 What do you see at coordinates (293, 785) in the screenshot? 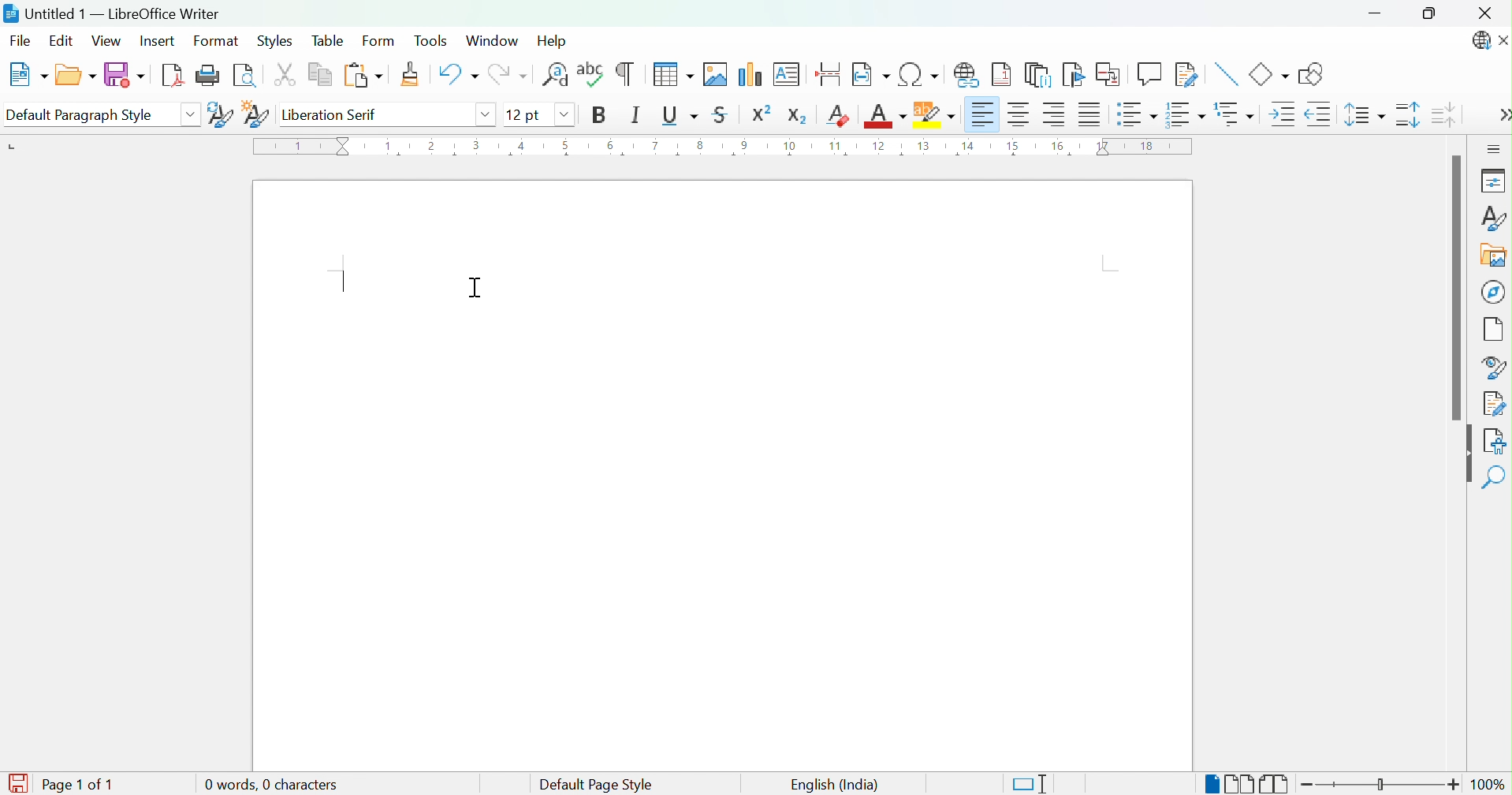
I see `0 word, 0 characters` at bounding box center [293, 785].